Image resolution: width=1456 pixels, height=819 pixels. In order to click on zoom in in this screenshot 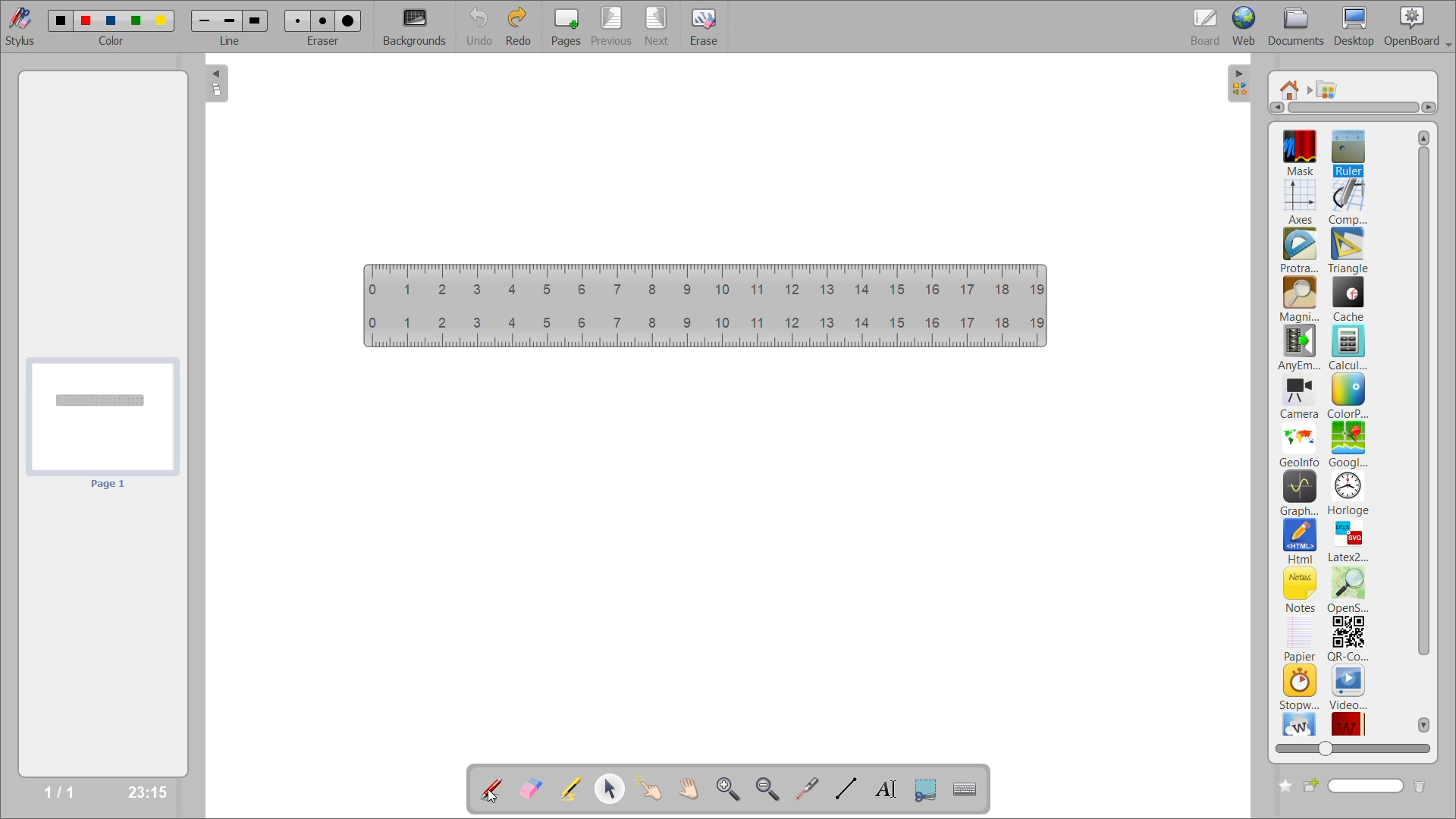, I will do `click(731, 789)`.